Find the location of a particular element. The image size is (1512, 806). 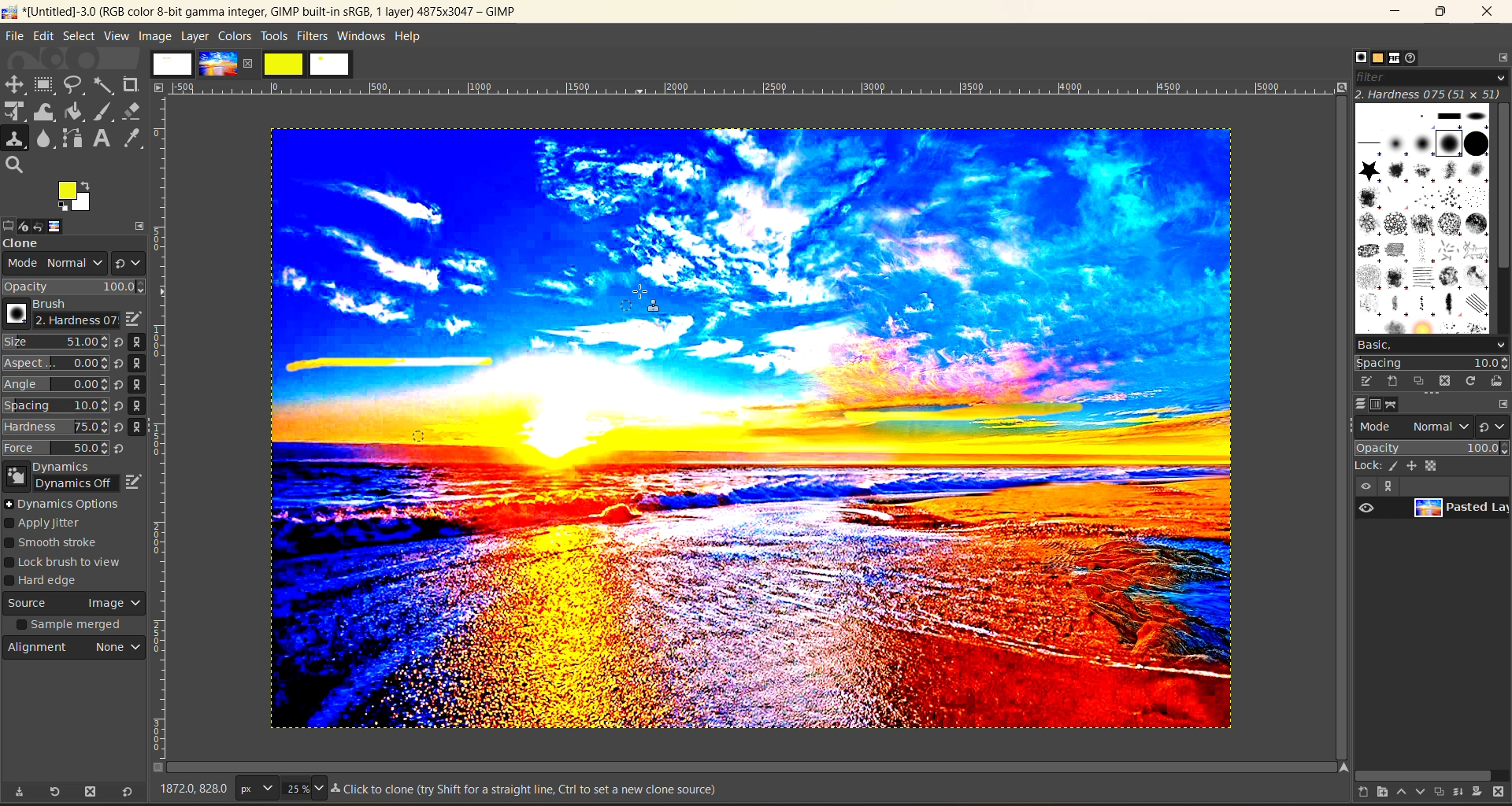

image is located at coordinates (154, 35).